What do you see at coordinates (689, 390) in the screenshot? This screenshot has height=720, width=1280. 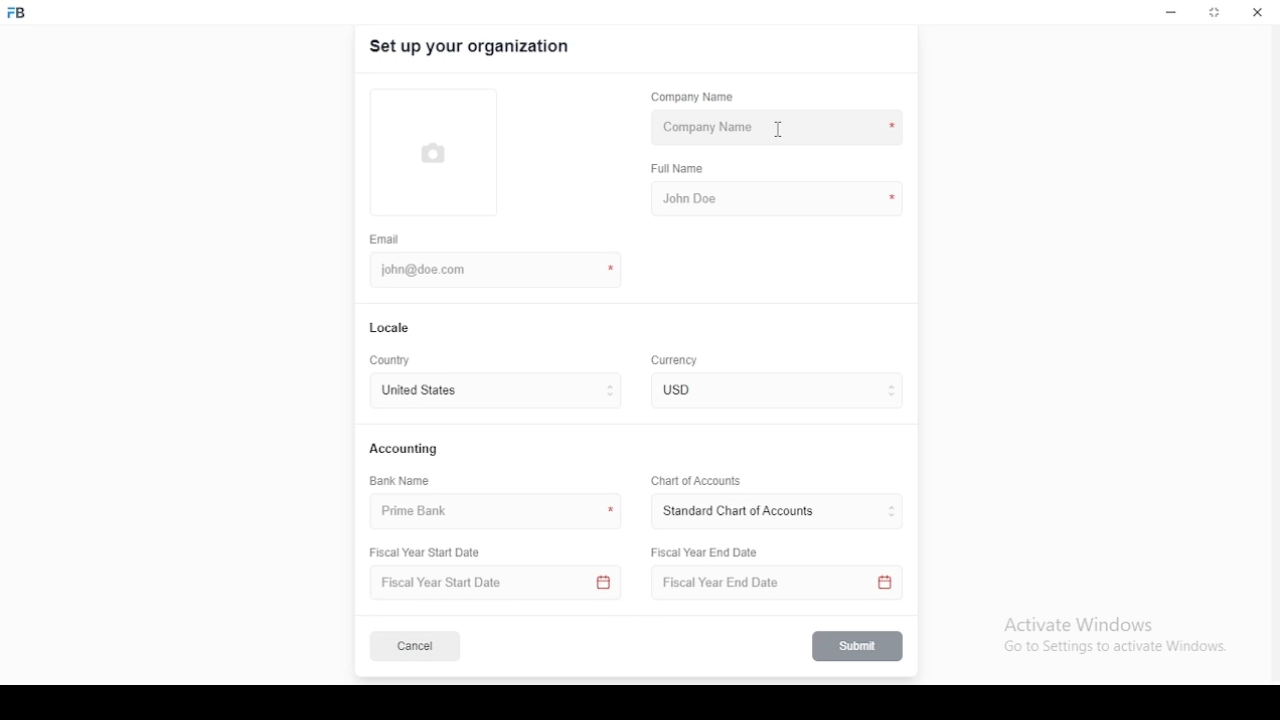 I see `currency` at bounding box center [689, 390].